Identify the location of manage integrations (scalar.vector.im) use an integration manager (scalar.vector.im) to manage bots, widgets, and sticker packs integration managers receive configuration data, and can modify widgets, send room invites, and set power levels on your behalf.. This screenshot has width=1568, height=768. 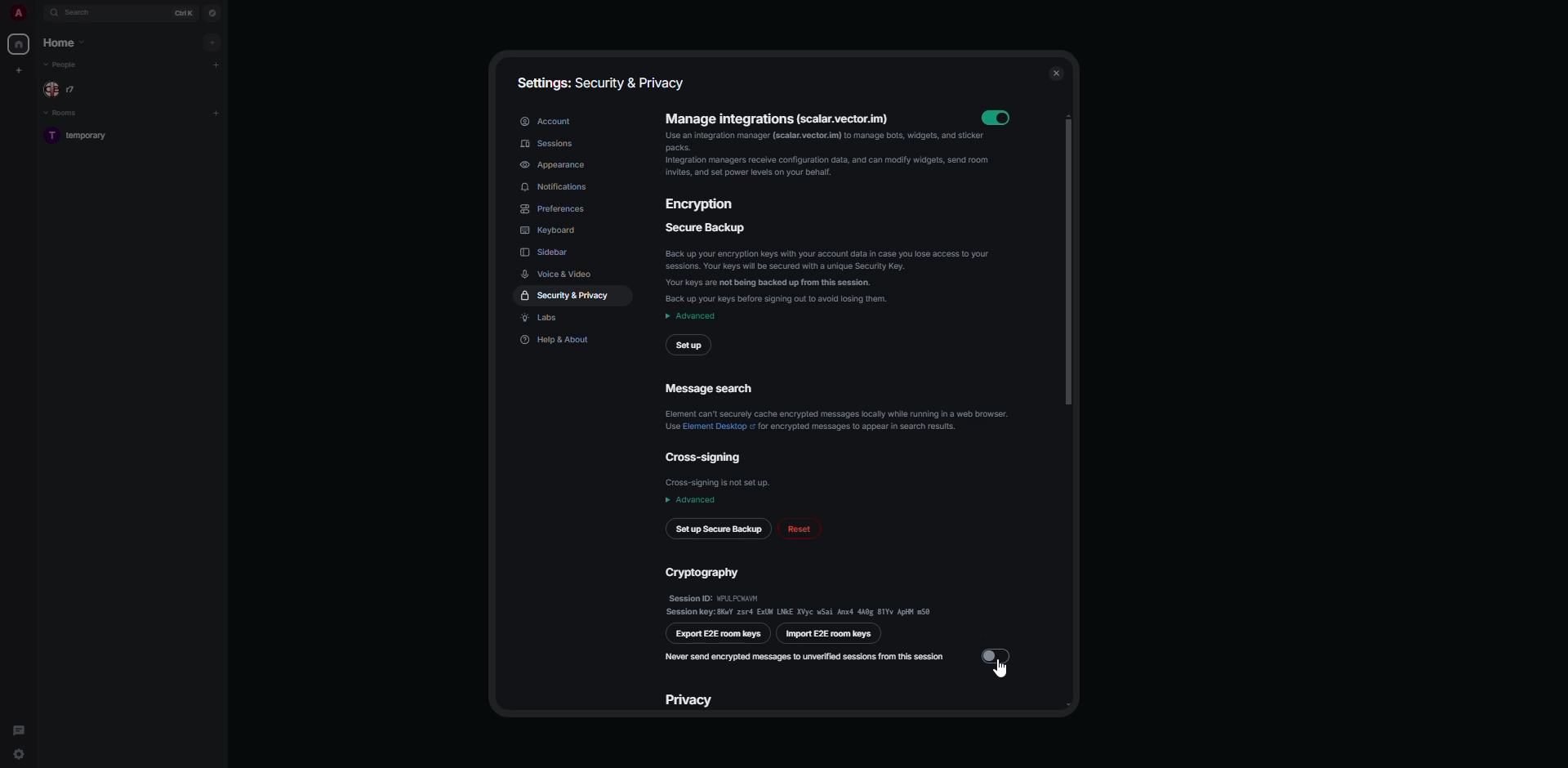
(818, 151).